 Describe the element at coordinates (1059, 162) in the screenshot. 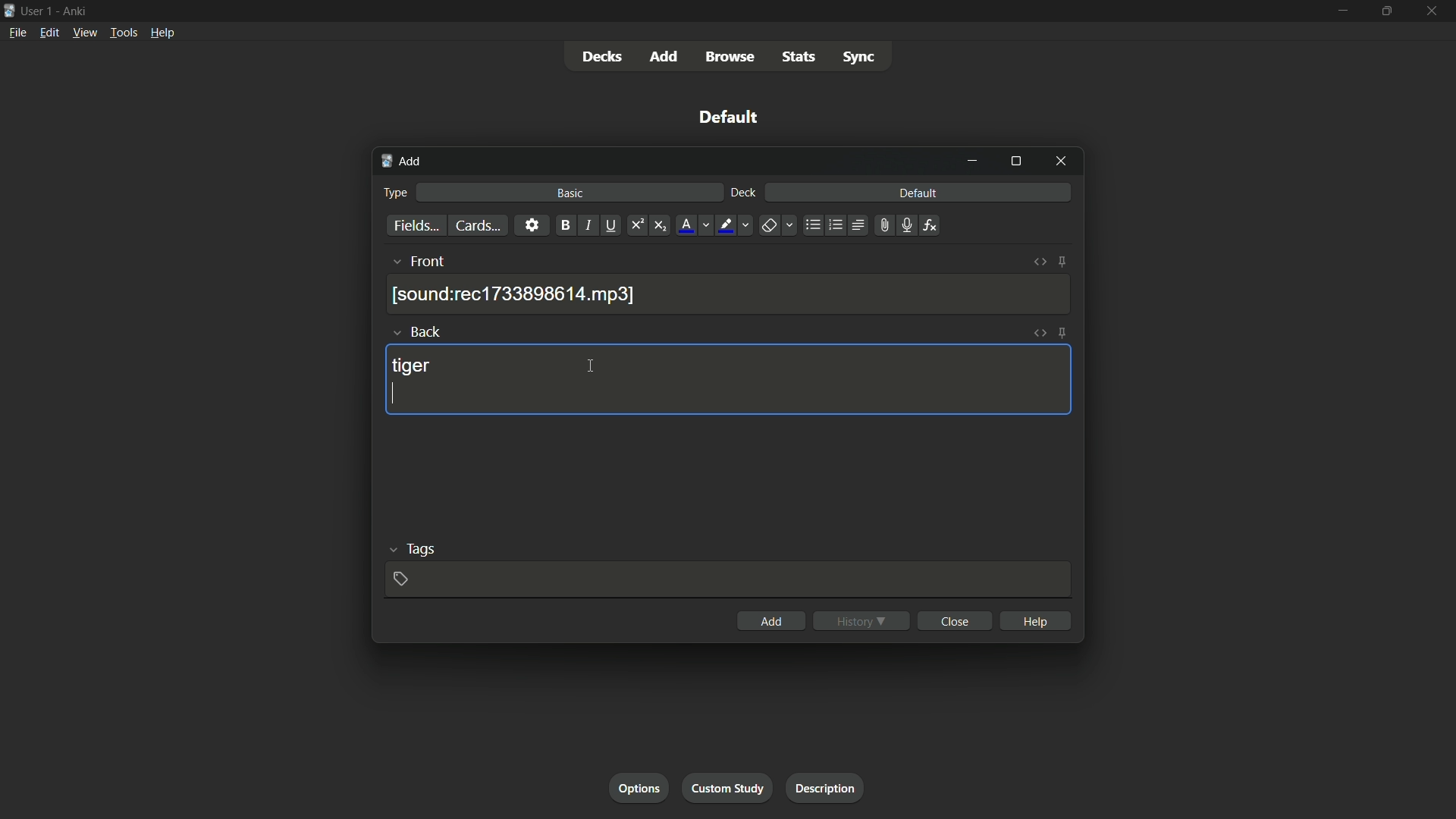

I see `close window` at that location.